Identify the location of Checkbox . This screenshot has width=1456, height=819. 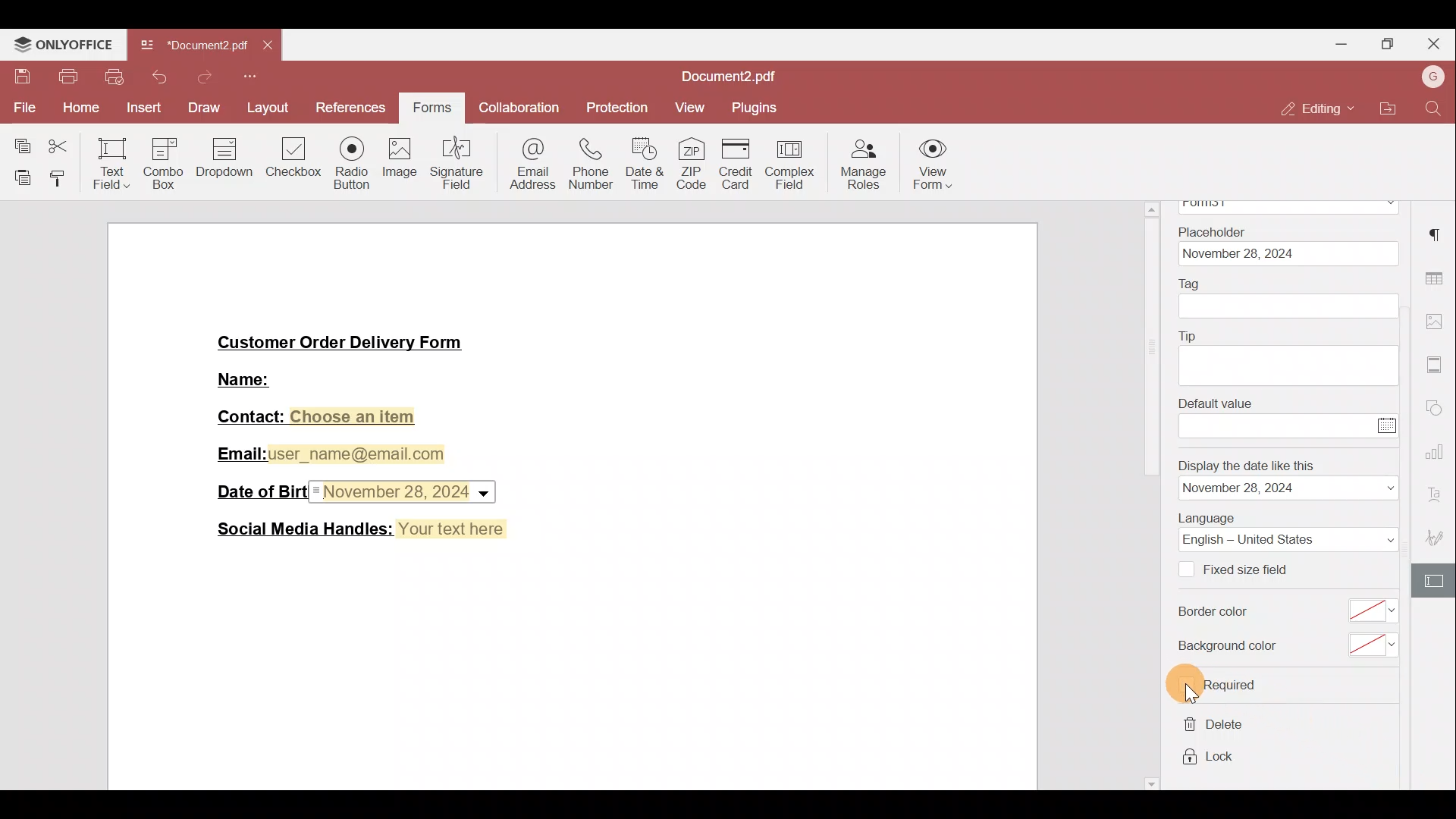
(1187, 570).